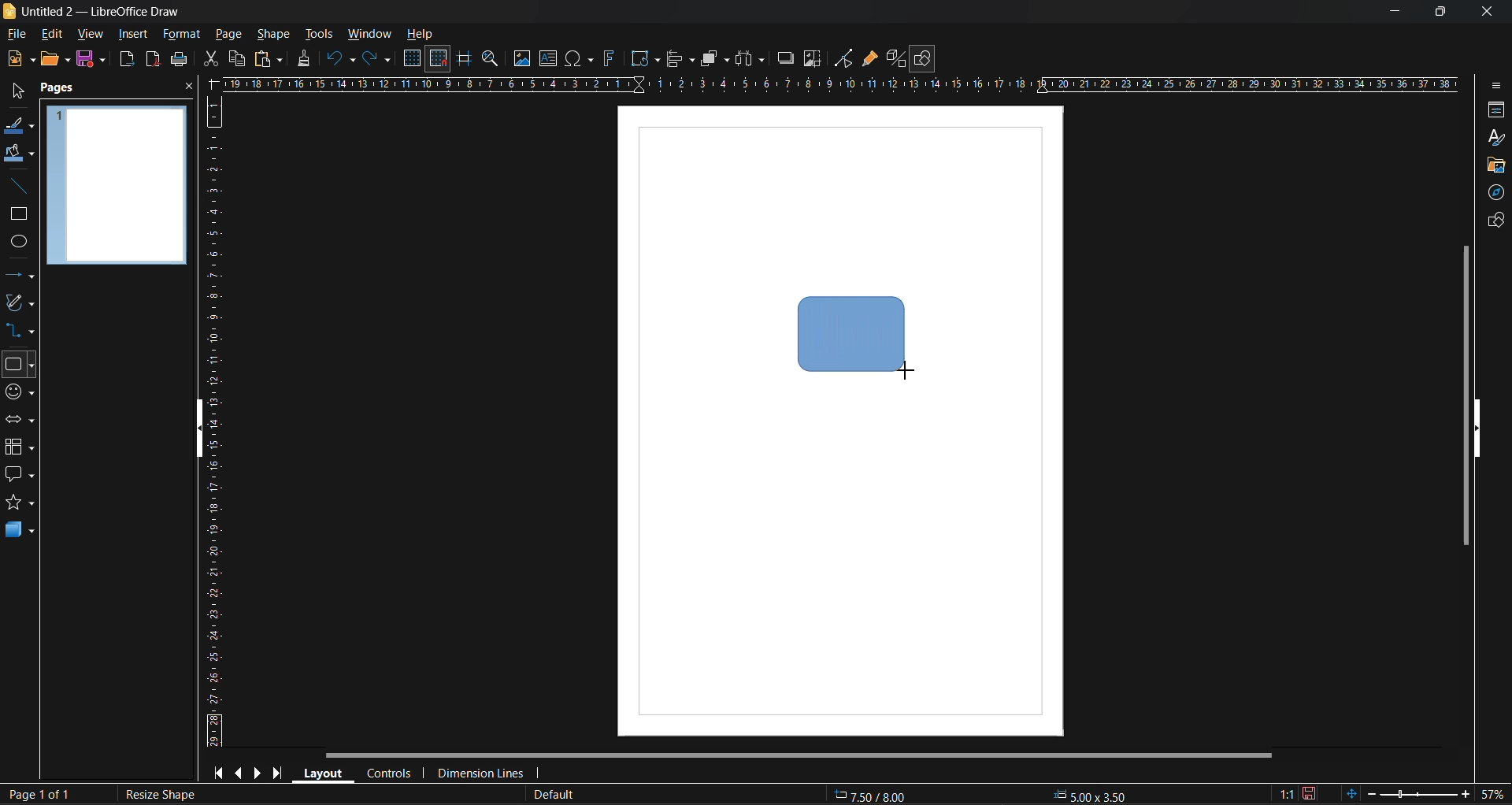 The image size is (1512, 805). Describe the element at coordinates (797, 757) in the screenshot. I see `horizontal scroll bar` at that location.